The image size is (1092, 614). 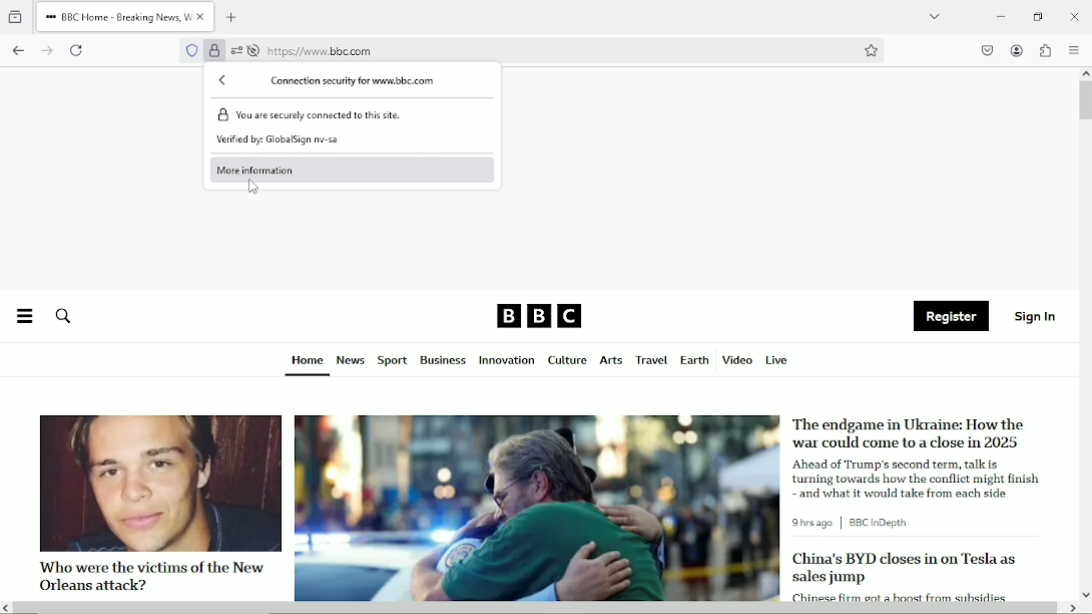 What do you see at coordinates (1044, 50) in the screenshot?
I see `Extensions` at bounding box center [1044, 50].